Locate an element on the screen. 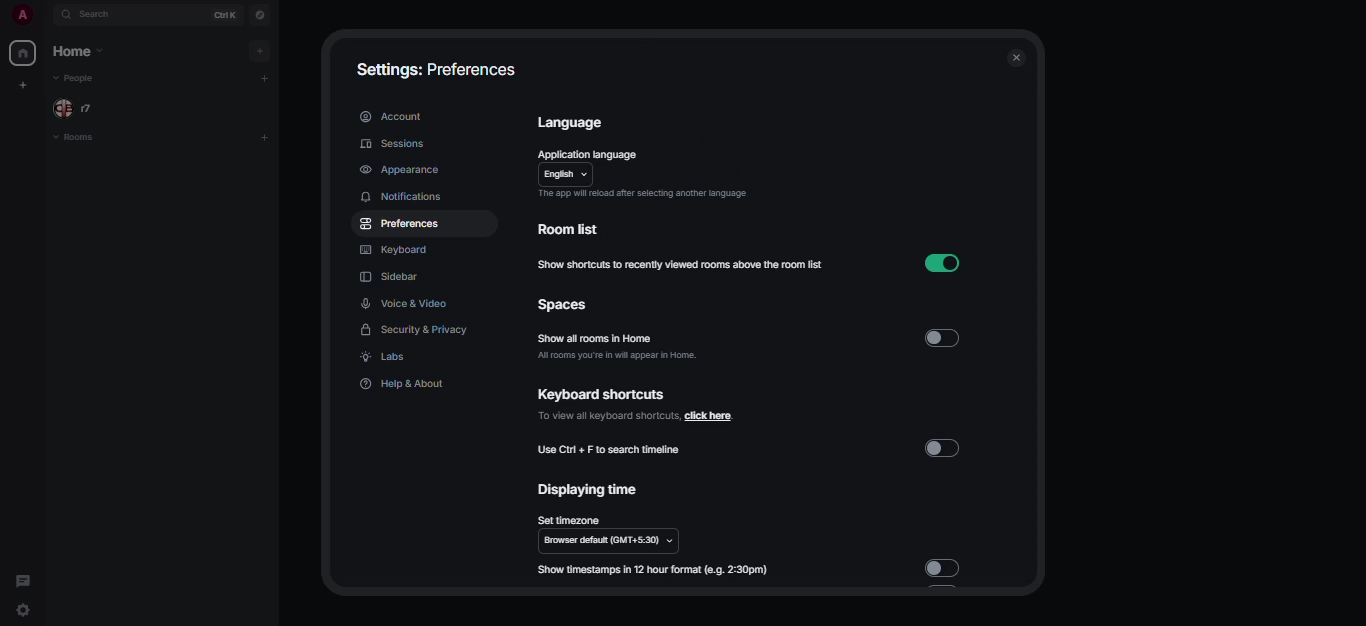 The width and height of the screenshot is (1366, 626). create myspace is located at coordinates (22, 83).